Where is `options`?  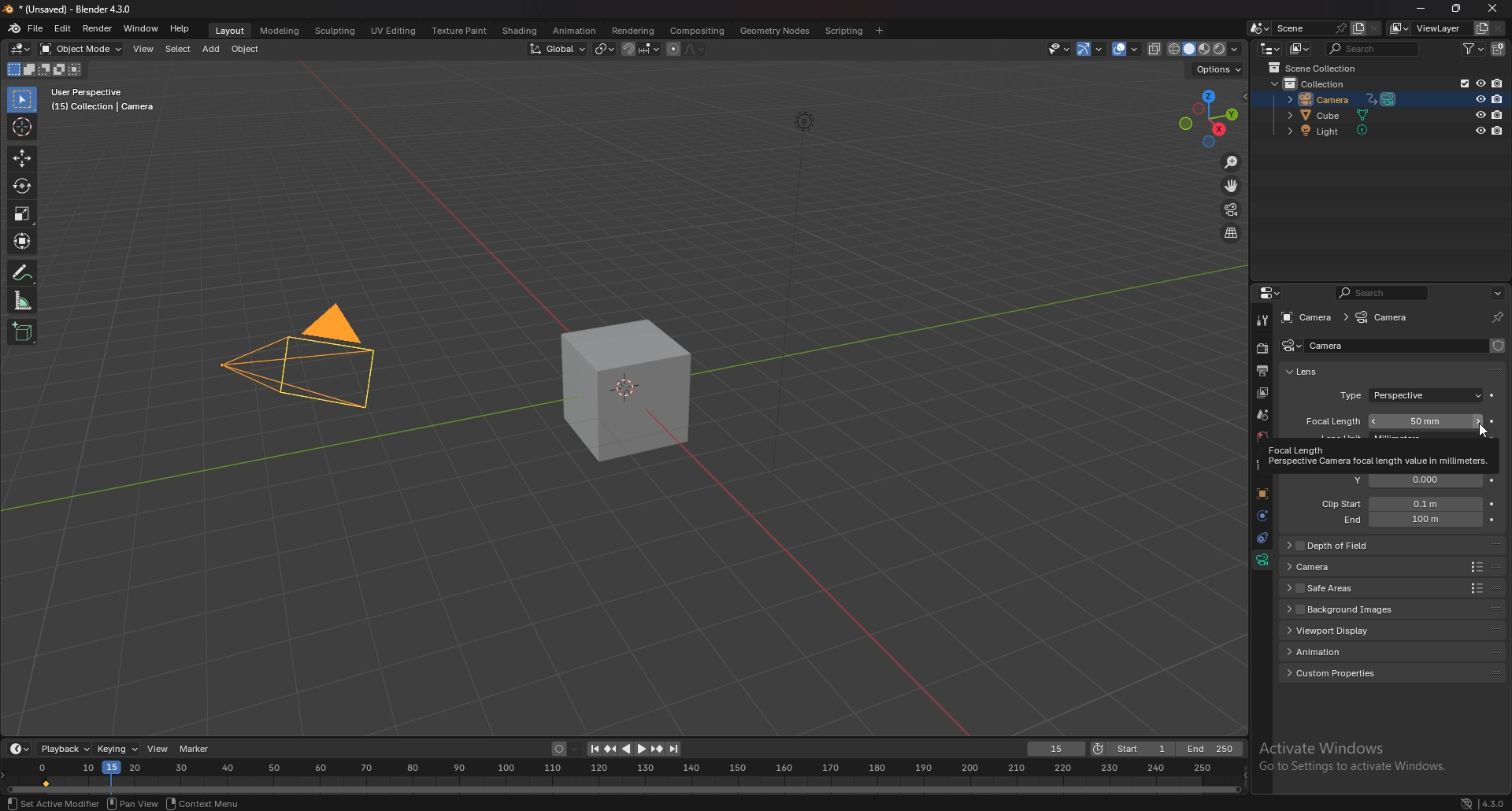 options is located at coordinates (1497, 291).